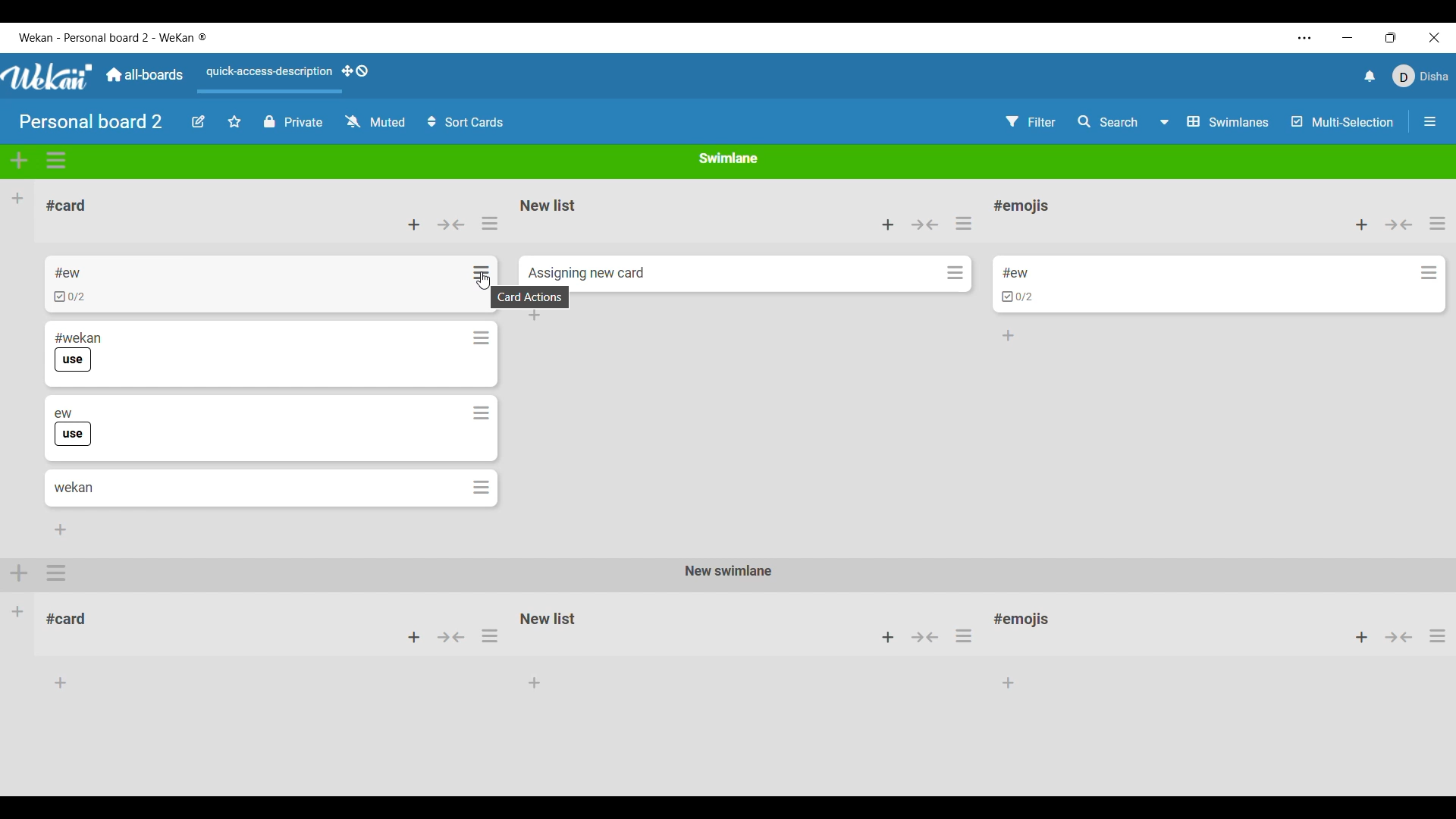 The width and height of the screenshot is (1456, 819). What do you see at coordinates (548, 618) in the screenshot?
I see `New list` at bounding box center [548, 618].